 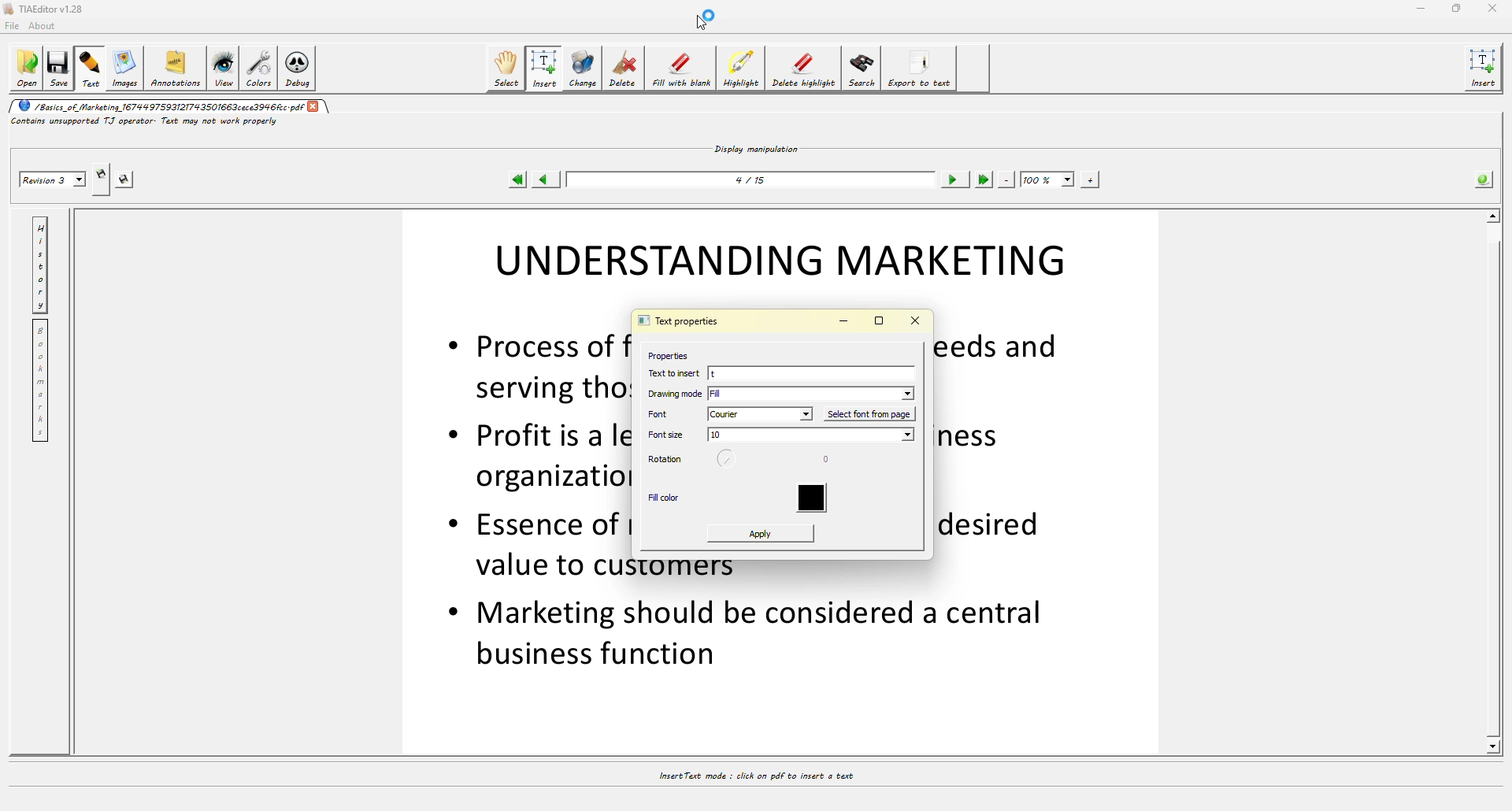 What do you see at coordinates (677, 322) in the screenshot?
I see `text properties` at bounding box center [677, 322].